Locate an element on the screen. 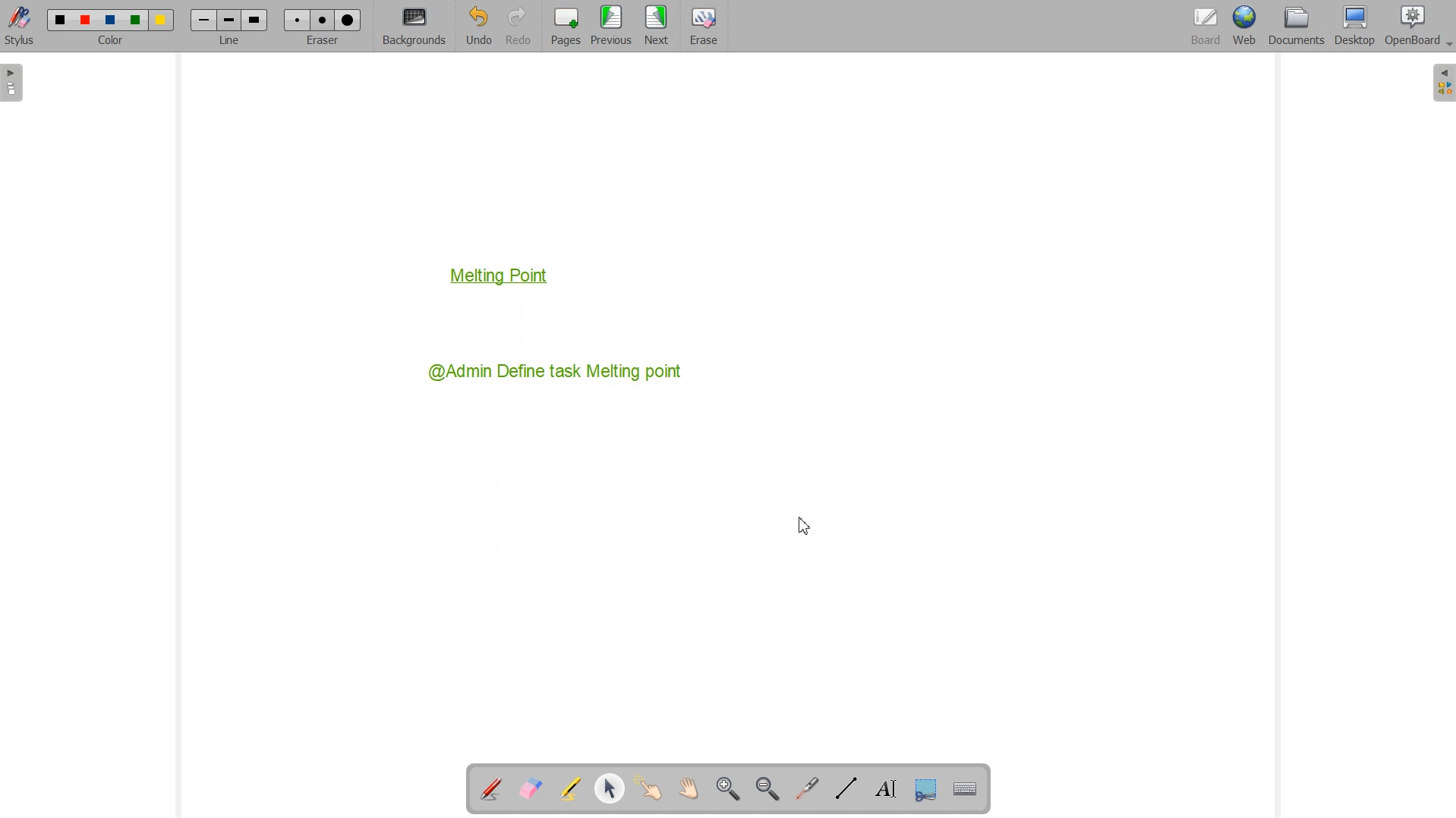  Undo is located at coordinates (478, 26).